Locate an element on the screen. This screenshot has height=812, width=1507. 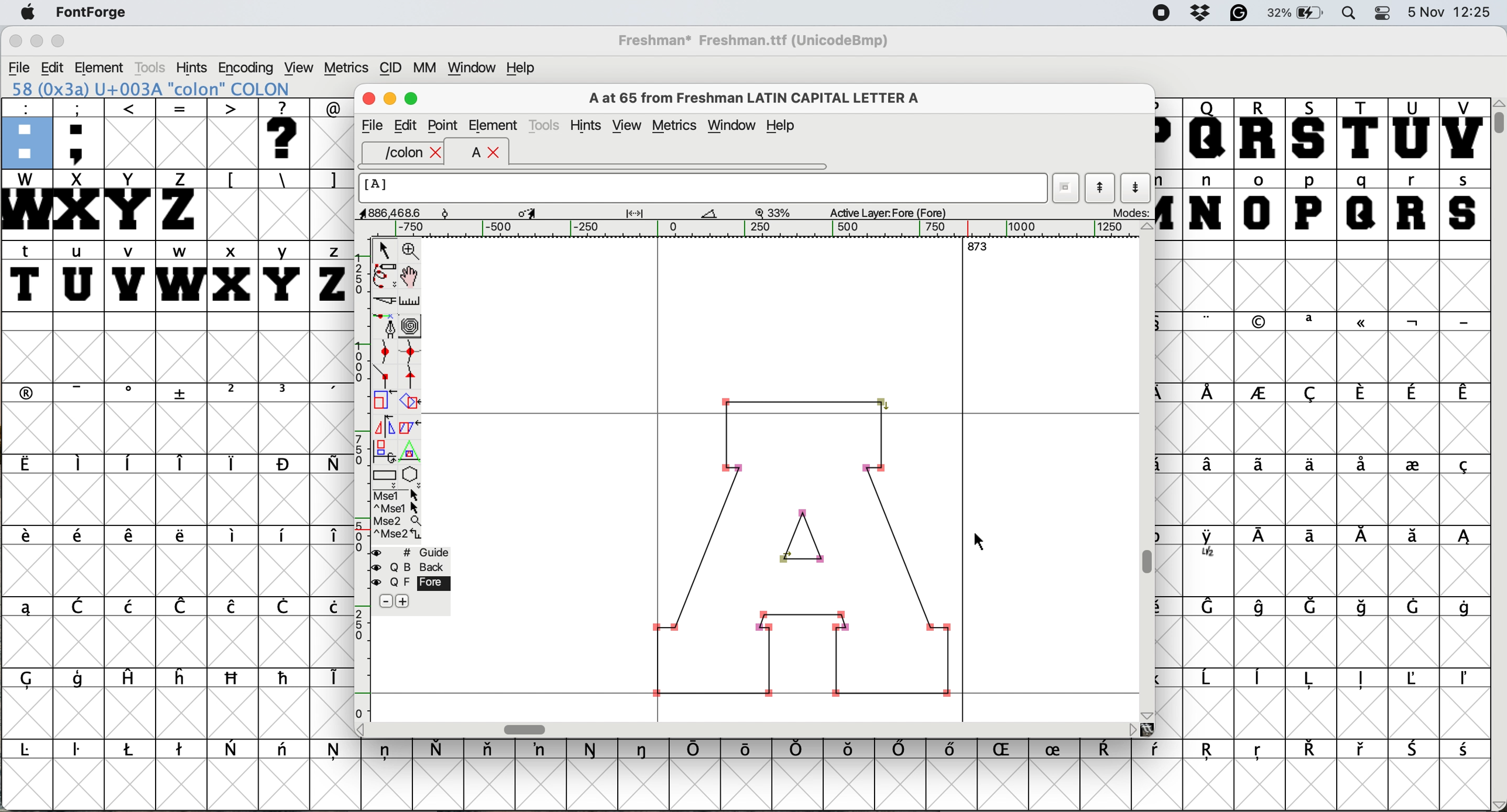
symbol is located at coordinates (1312, 322).